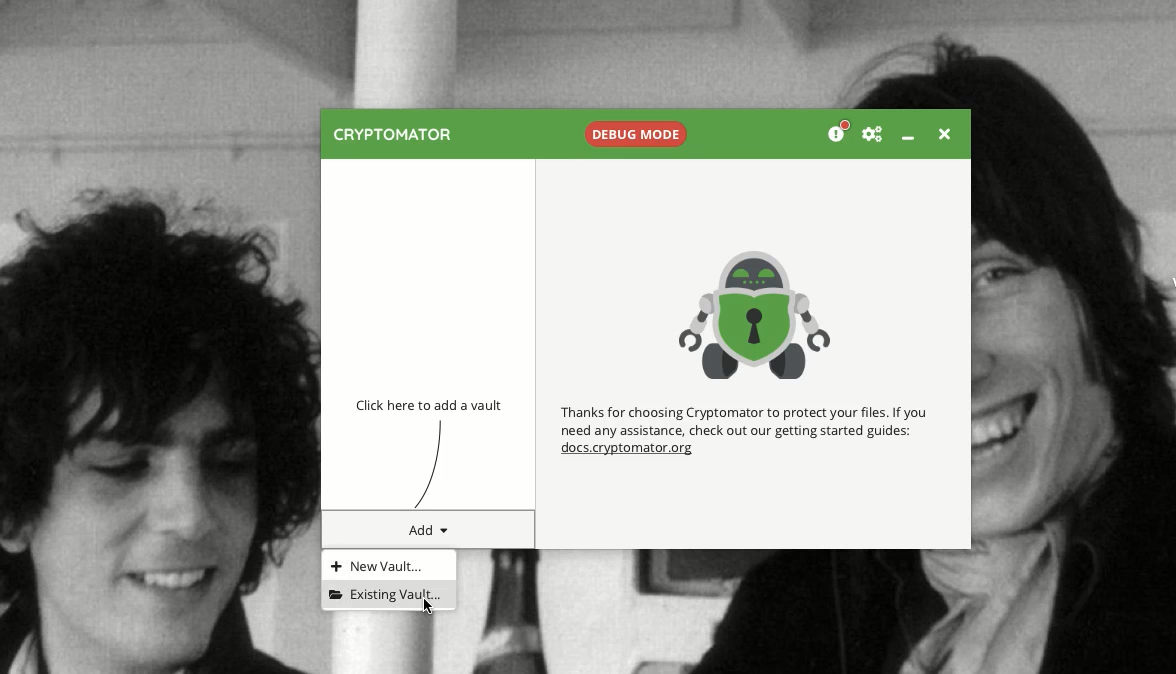 This screenshot has width=1176, height=674. What do you see at coordinates (747, 420) in the screenshot?
I see `Thanks for choosing Cryptomator to protect your files. If you need any assistance, check out our getting started guides: ` at bounding box center [747, 420].